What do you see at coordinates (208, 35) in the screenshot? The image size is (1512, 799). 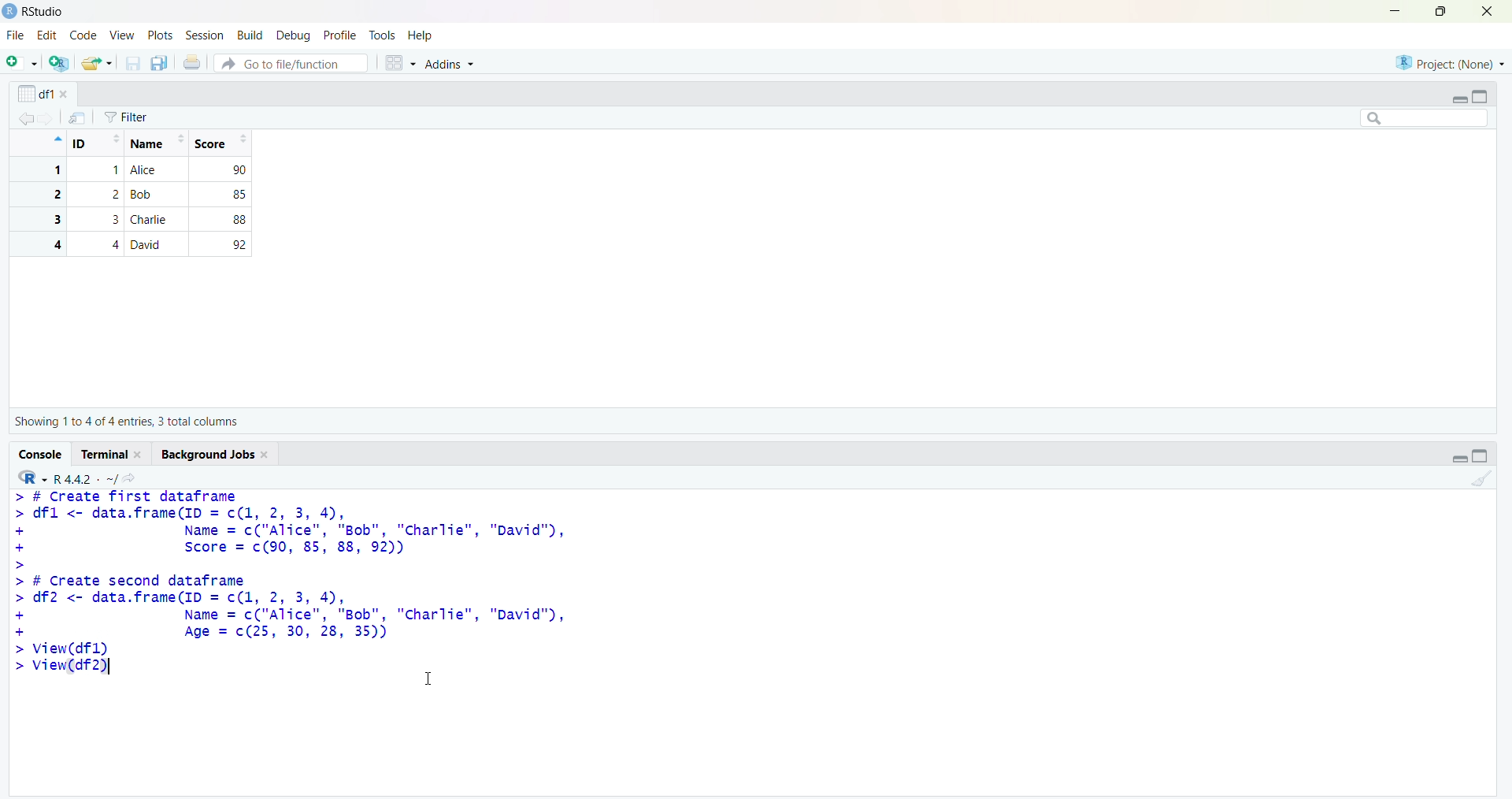 I see `session` at bounding box center [208, 35].